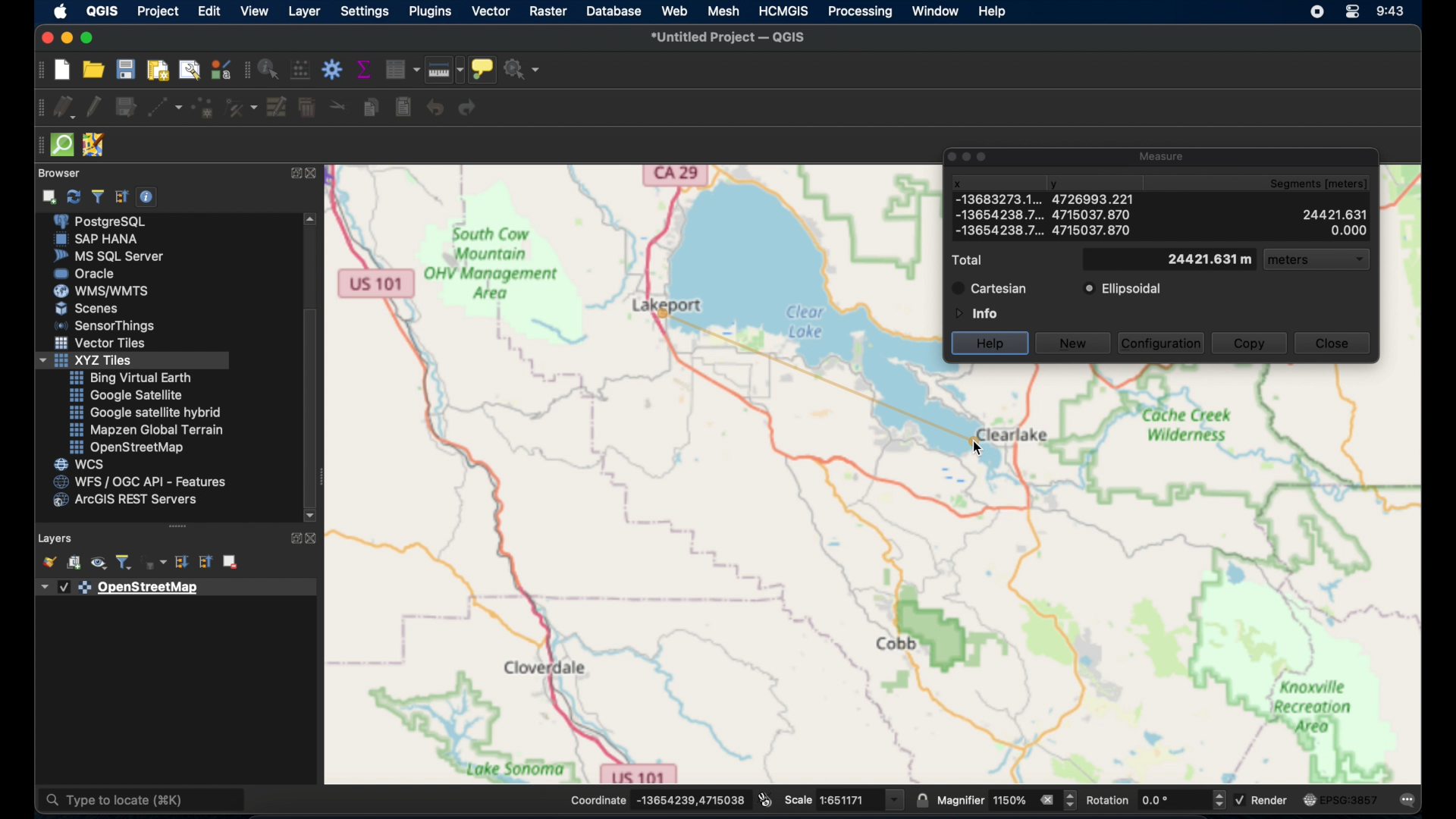 This screenshot has height=819, width=1456. Describe the element at coordinates (37, 148) in the screenshot. I see `drag handles` at that location.